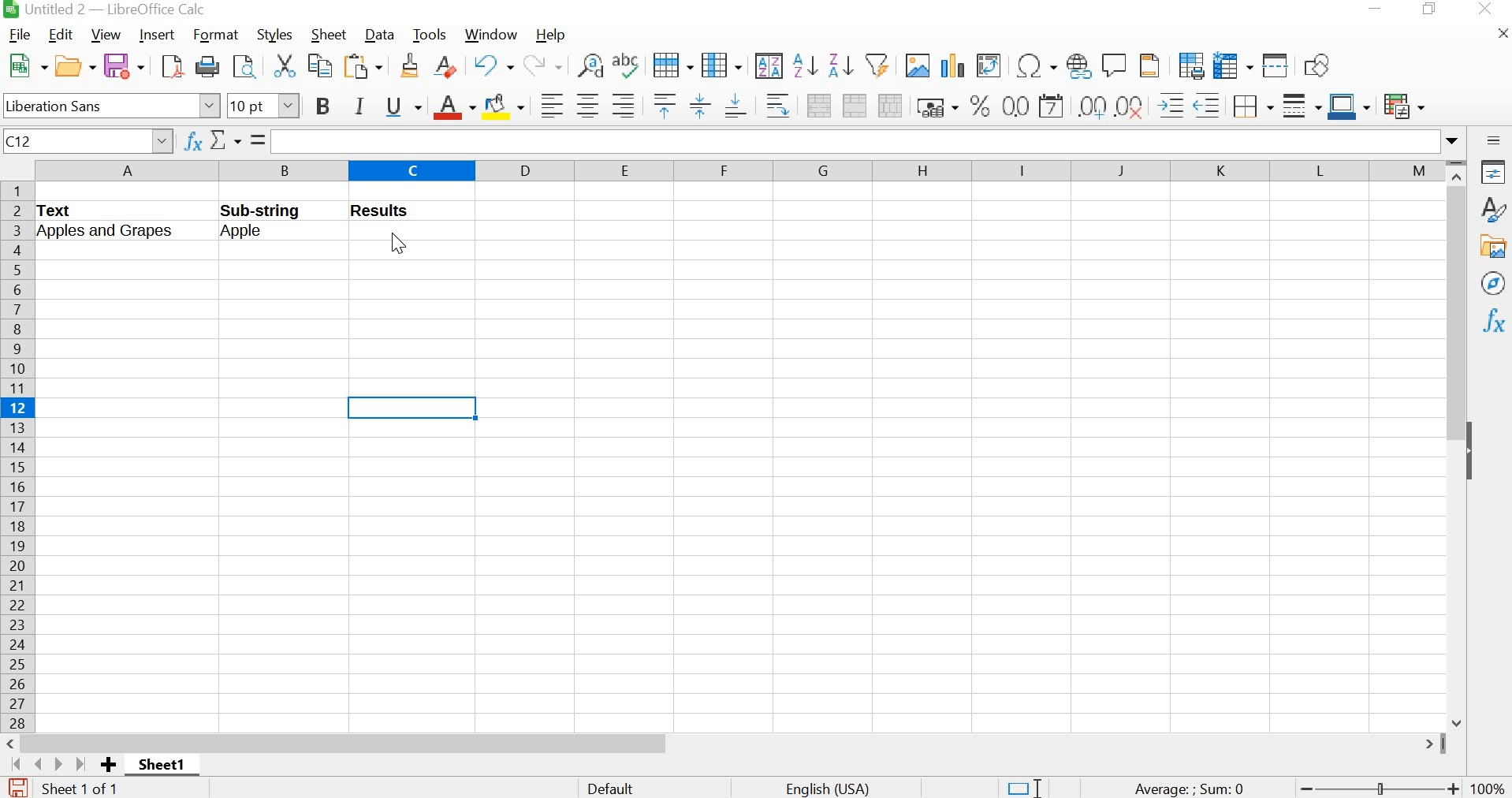  I want to click on navigator, so click(1495, 285).